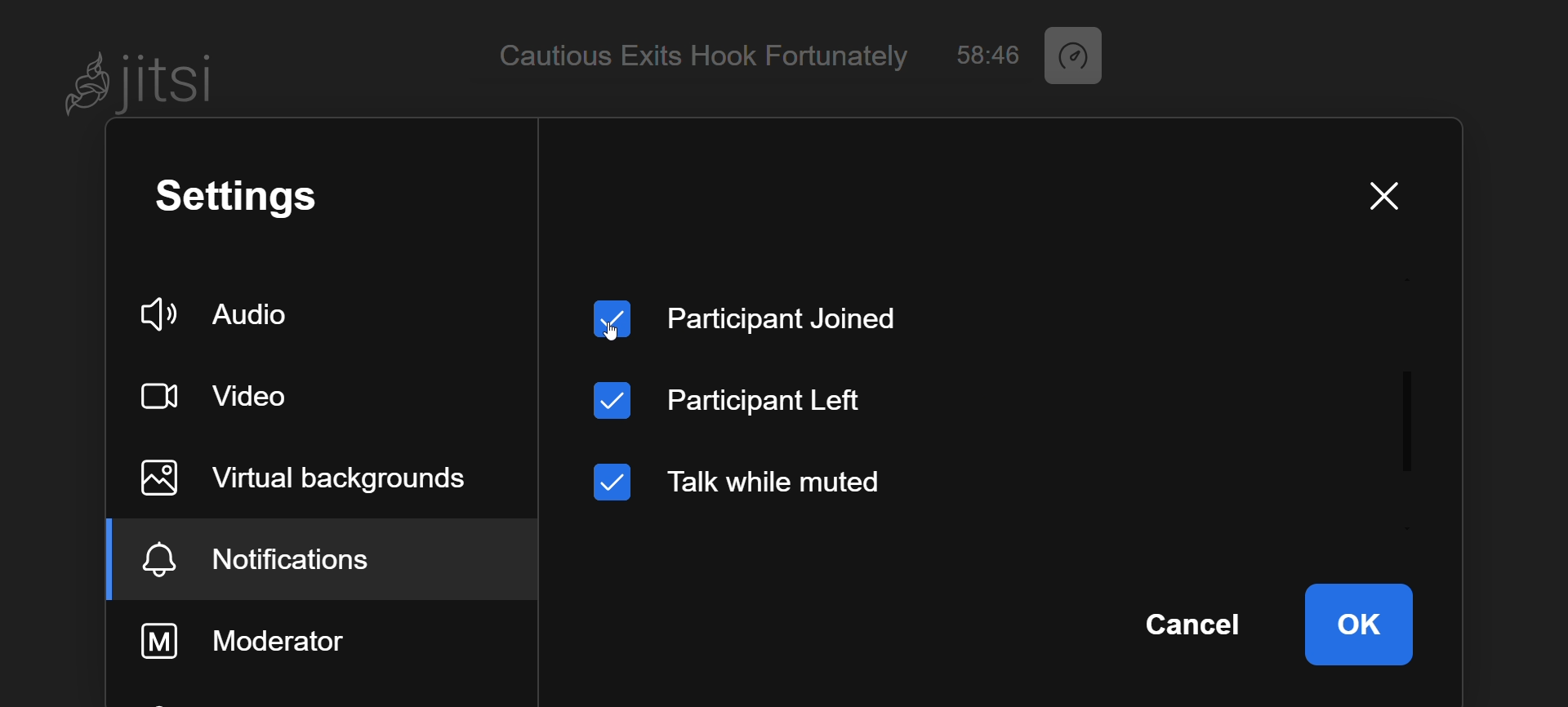  Describe the element at coordinates (229, 395) in the screenshot. I see `video` at that location.